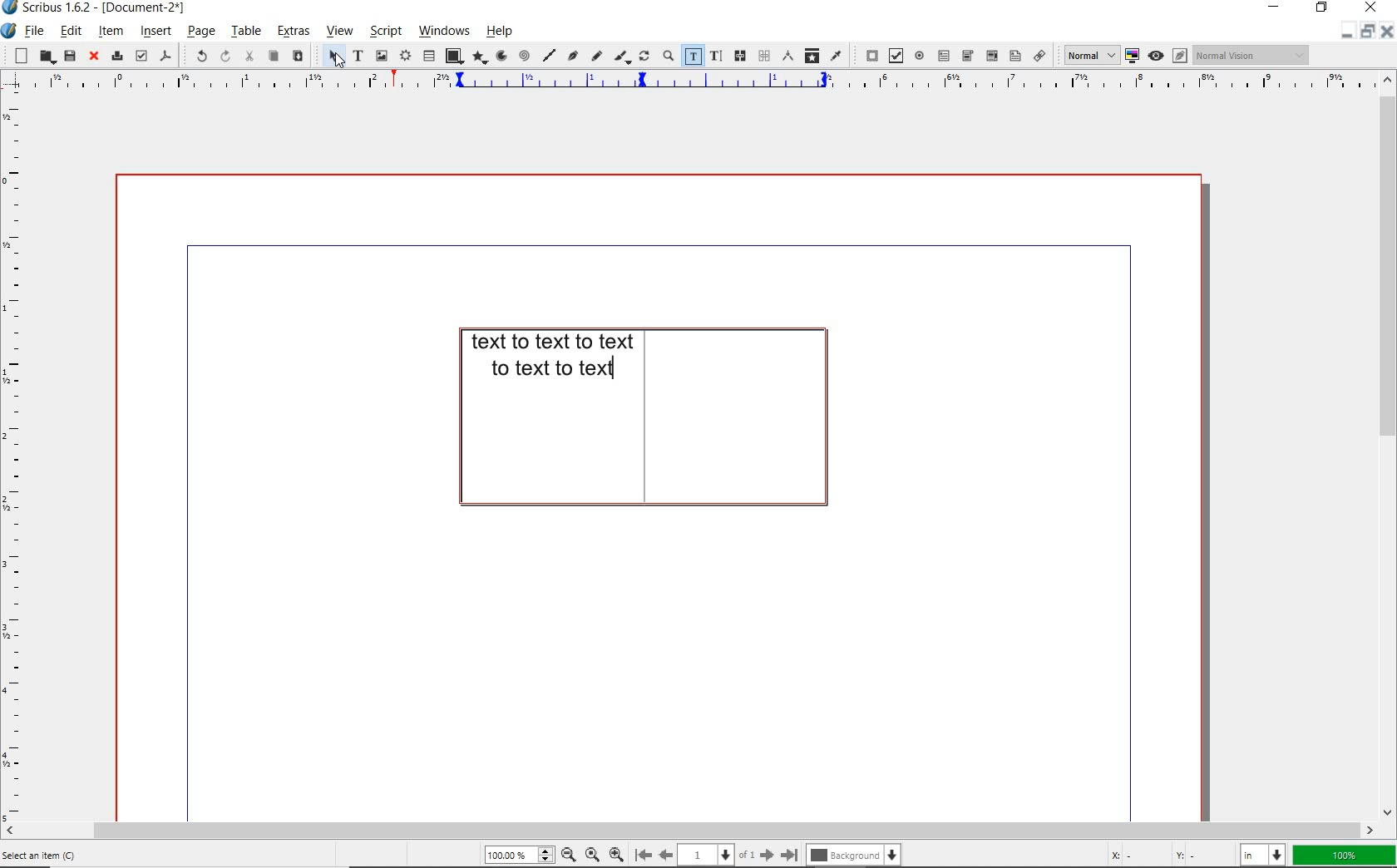  Describe the element at coordinates (644, 855) in the screenshot. I see `go to first page` at that location.